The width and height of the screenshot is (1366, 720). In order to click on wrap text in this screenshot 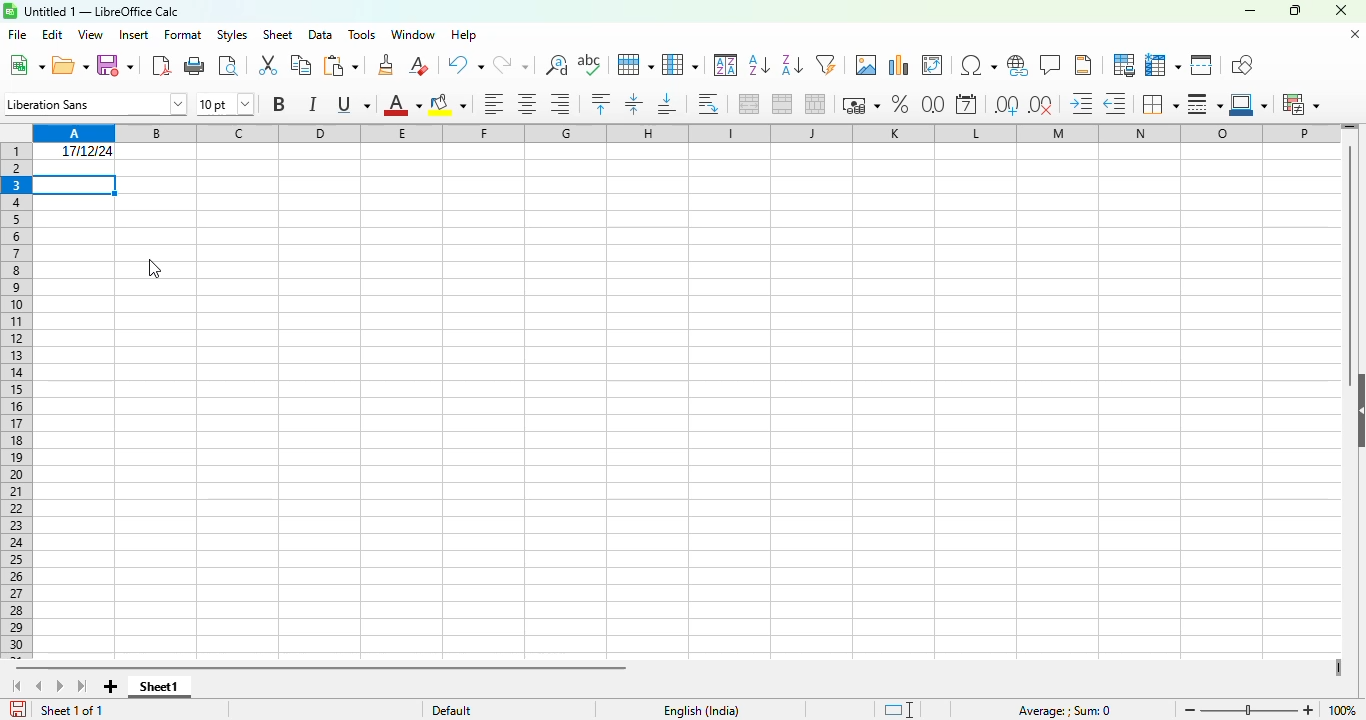, I will do `click(709, 105)`.